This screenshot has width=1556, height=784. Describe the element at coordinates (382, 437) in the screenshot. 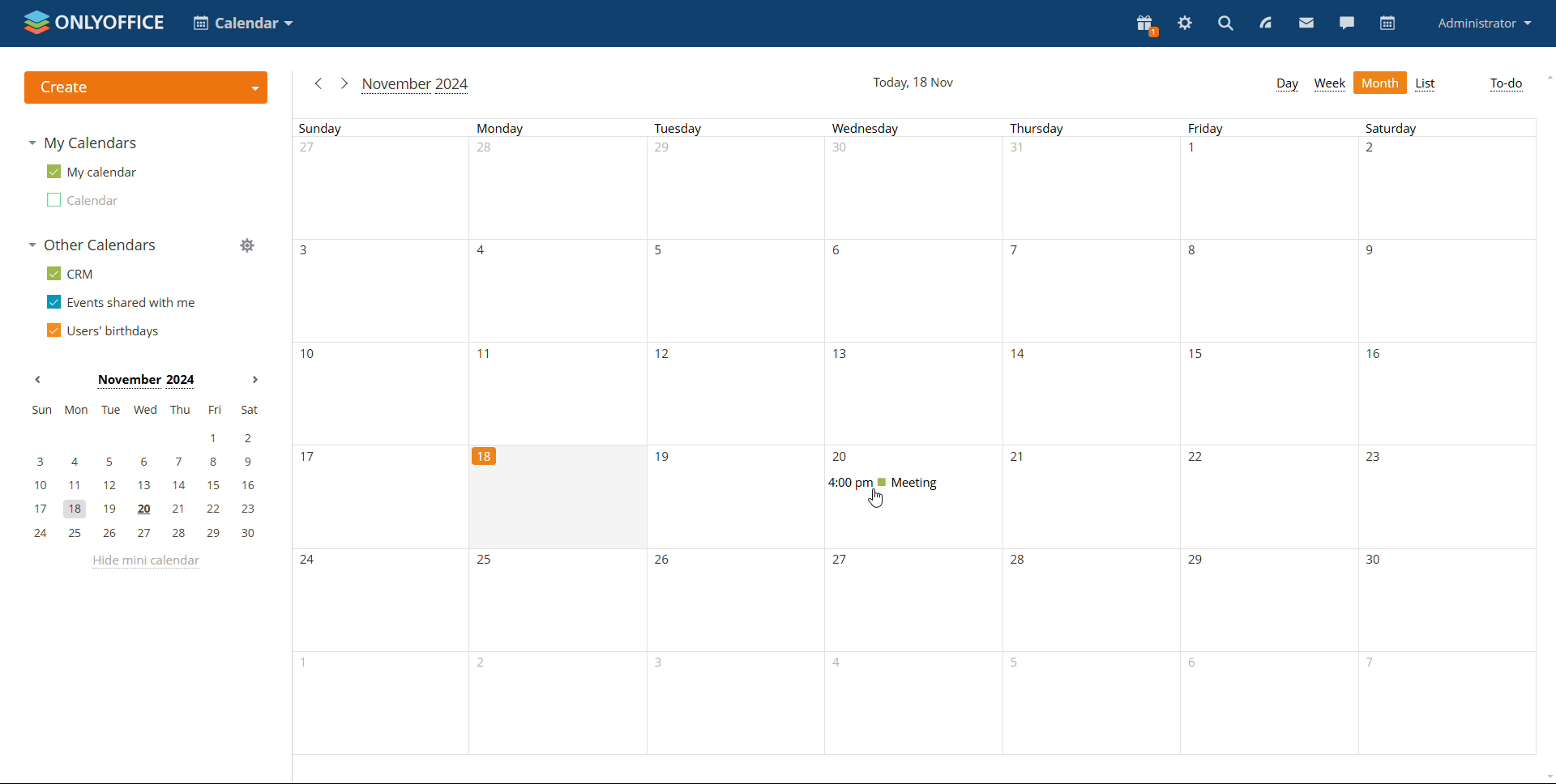

I see `Sunday` at that location.